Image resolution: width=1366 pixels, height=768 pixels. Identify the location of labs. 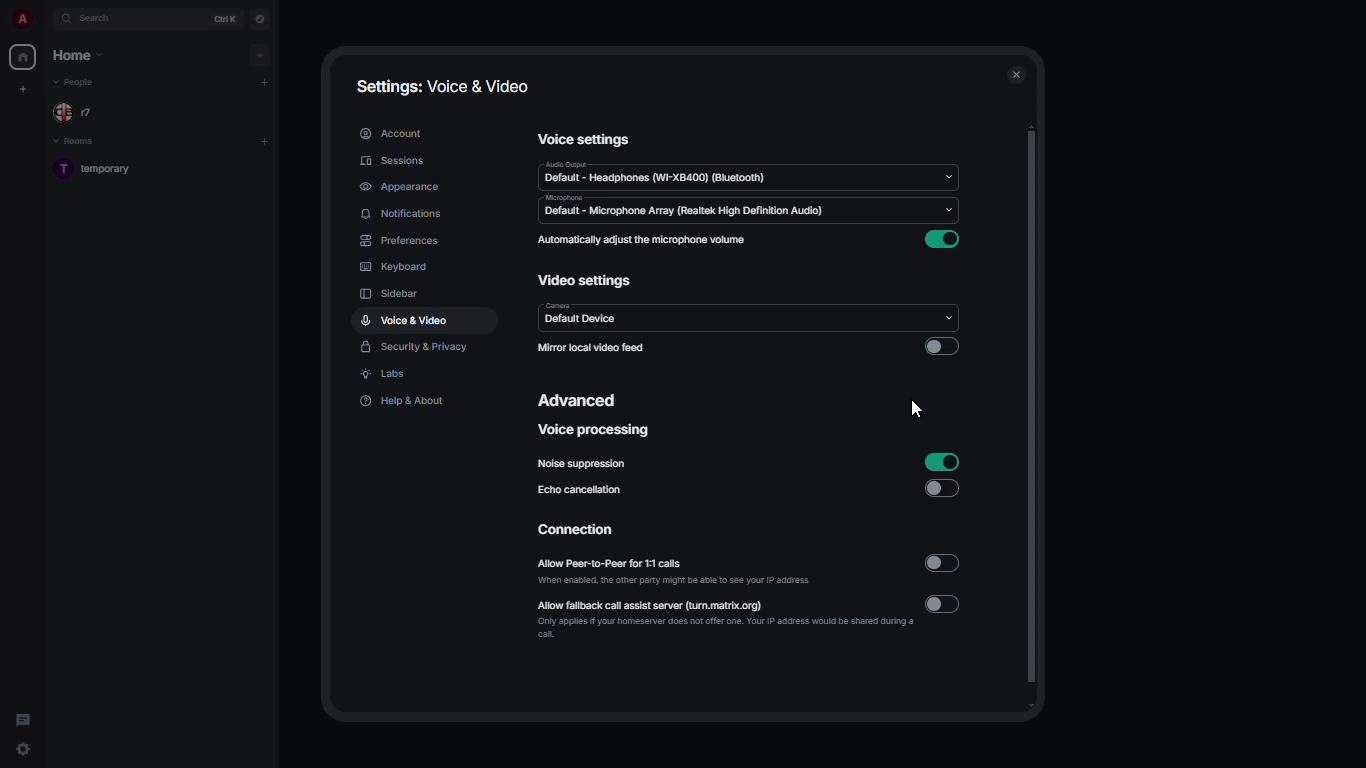
(386, 375).